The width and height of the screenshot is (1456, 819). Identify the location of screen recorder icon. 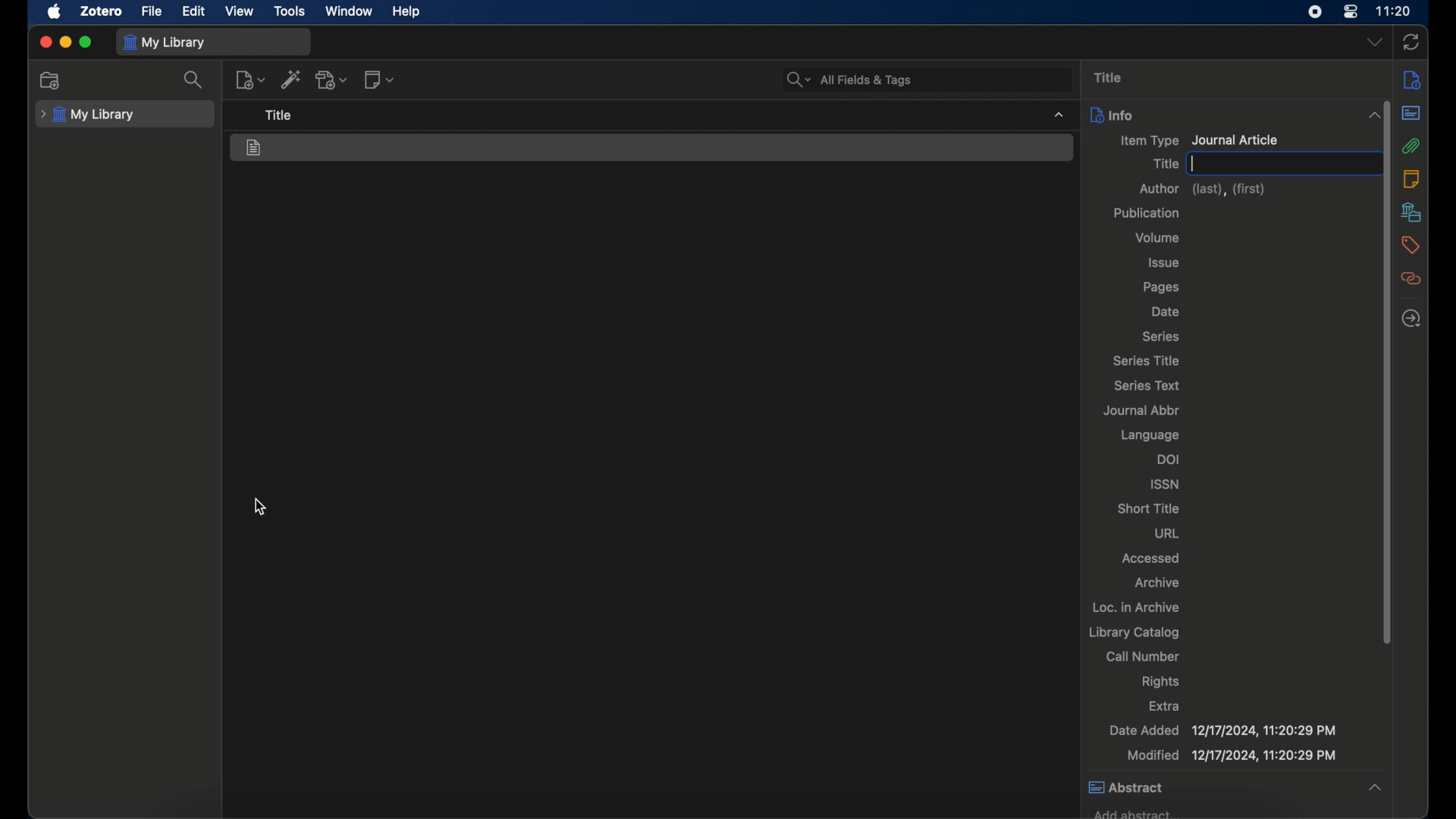
(1316, 12).